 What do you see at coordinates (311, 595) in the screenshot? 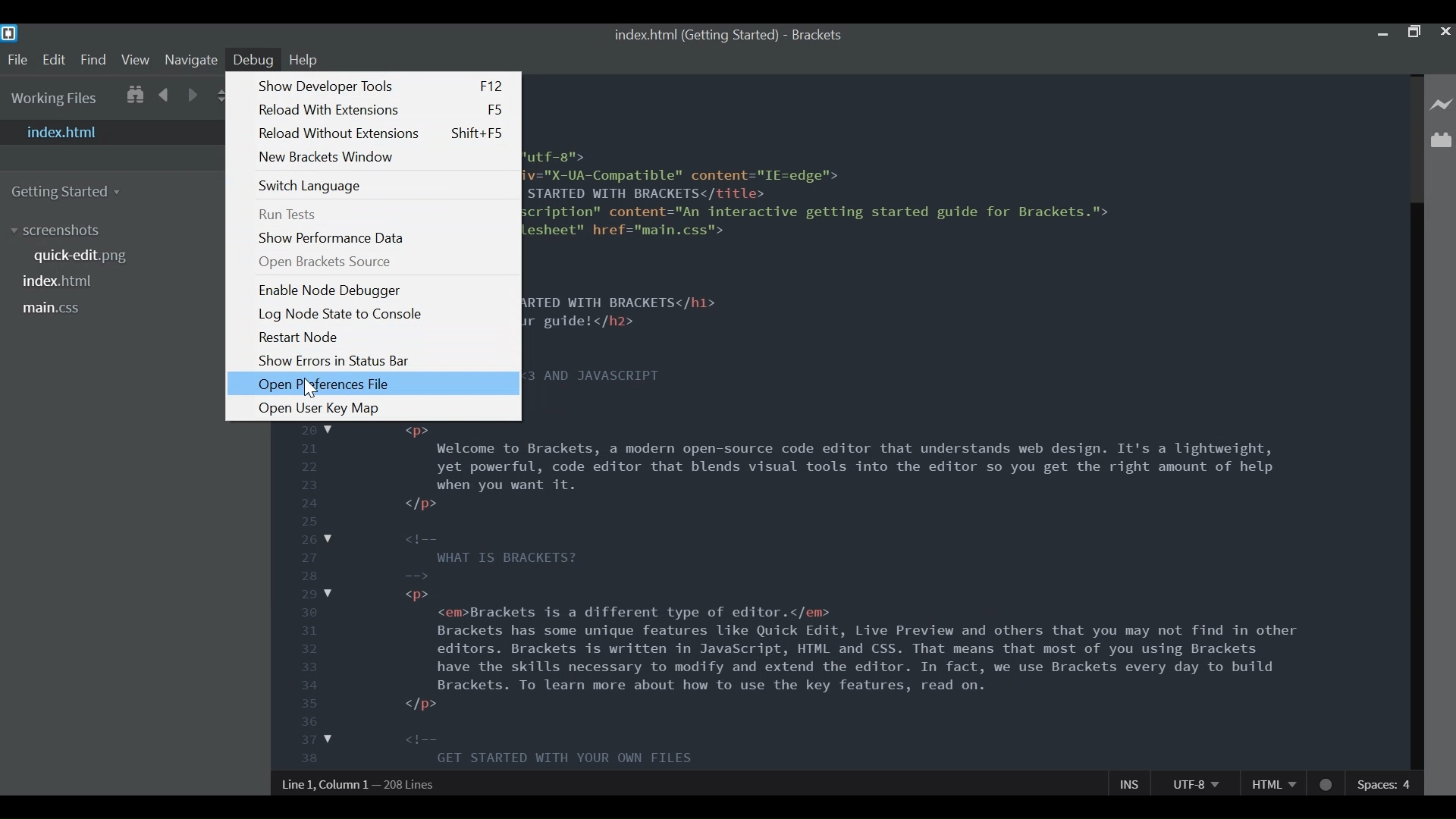
I see `1

2

8

4

5

6

7

8

El
10
11
12
13
14
15
16
17
18
19
20
21
22
7k}
24
25
26
27
28
29
30
31
32
33
34
35
36
37
38` at bounding box center [311, 595].